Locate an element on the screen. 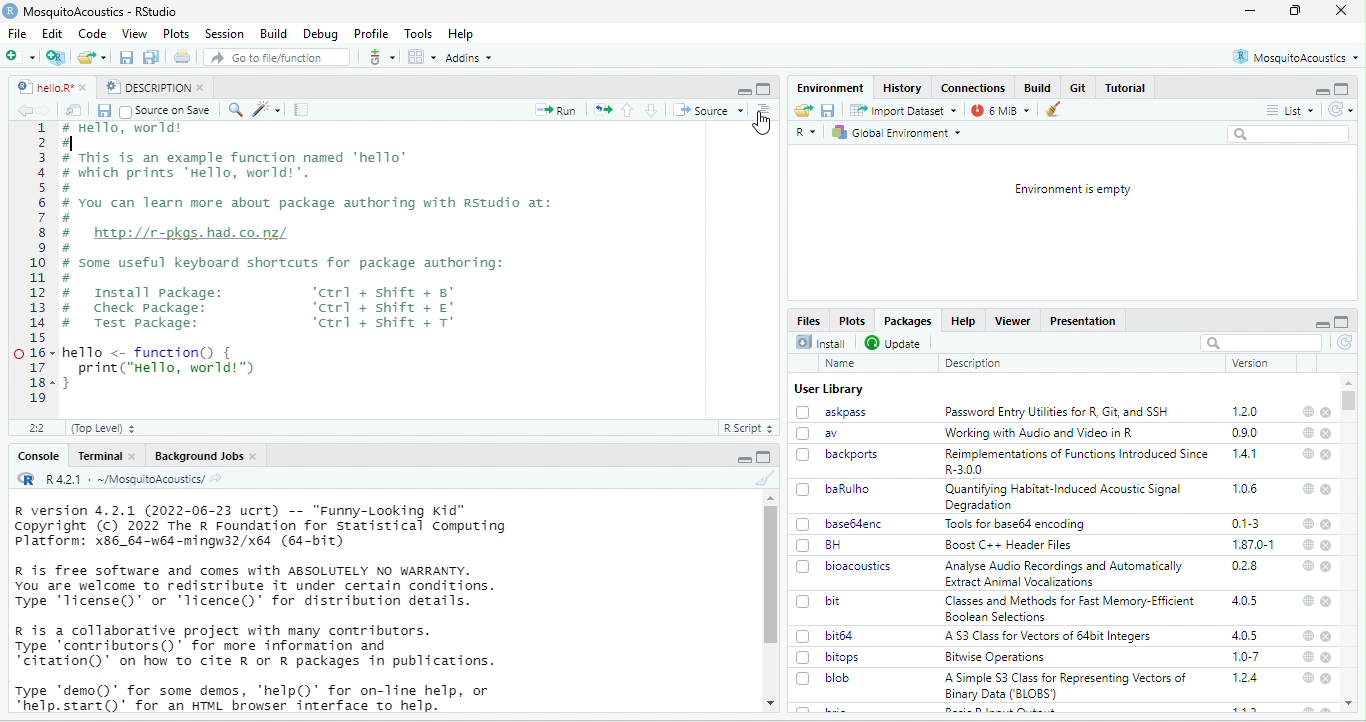  search bar is located at coordinates (1262, 342).